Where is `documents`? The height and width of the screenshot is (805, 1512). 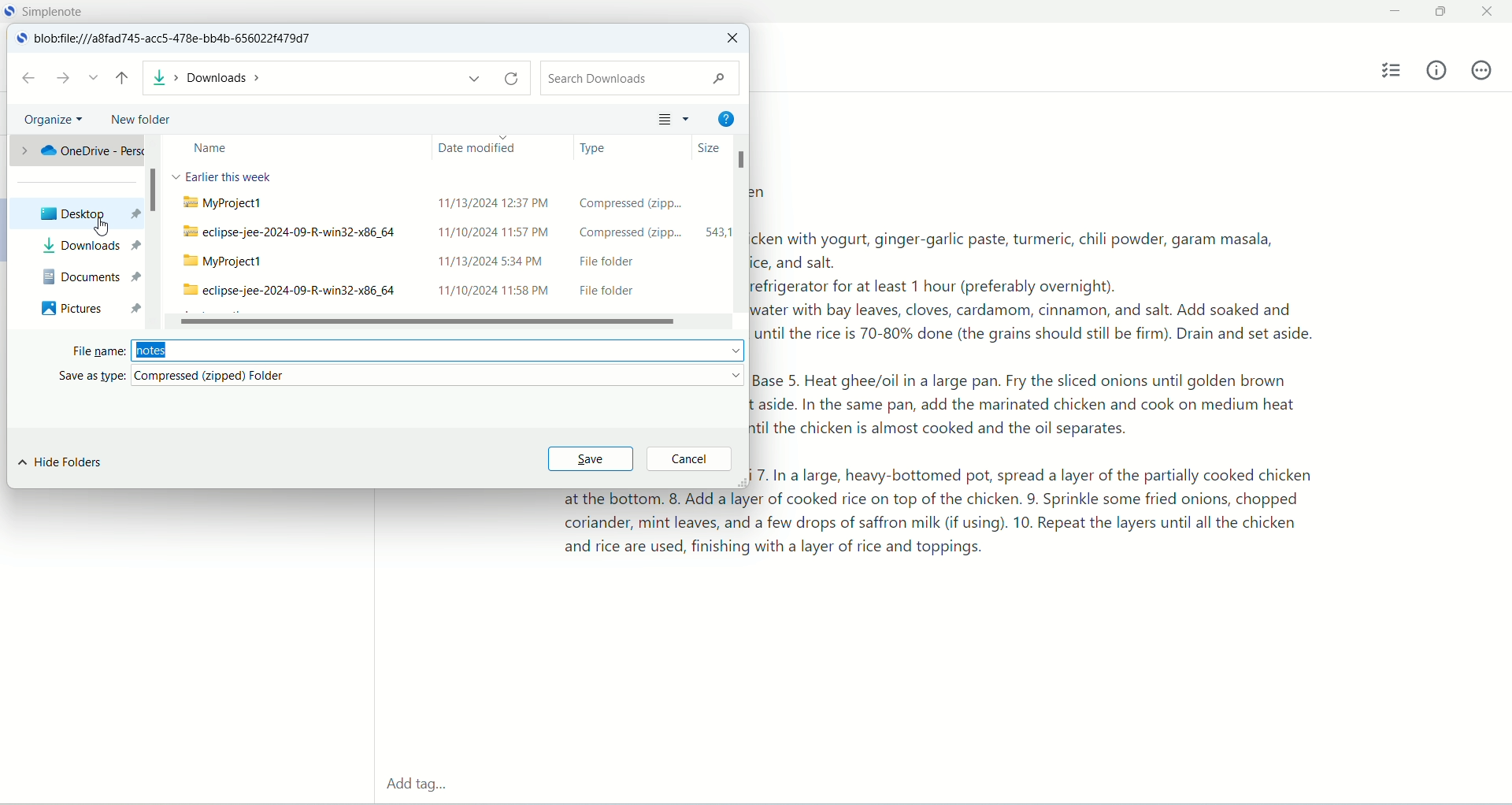 documents is located at coordinates (87, 276).